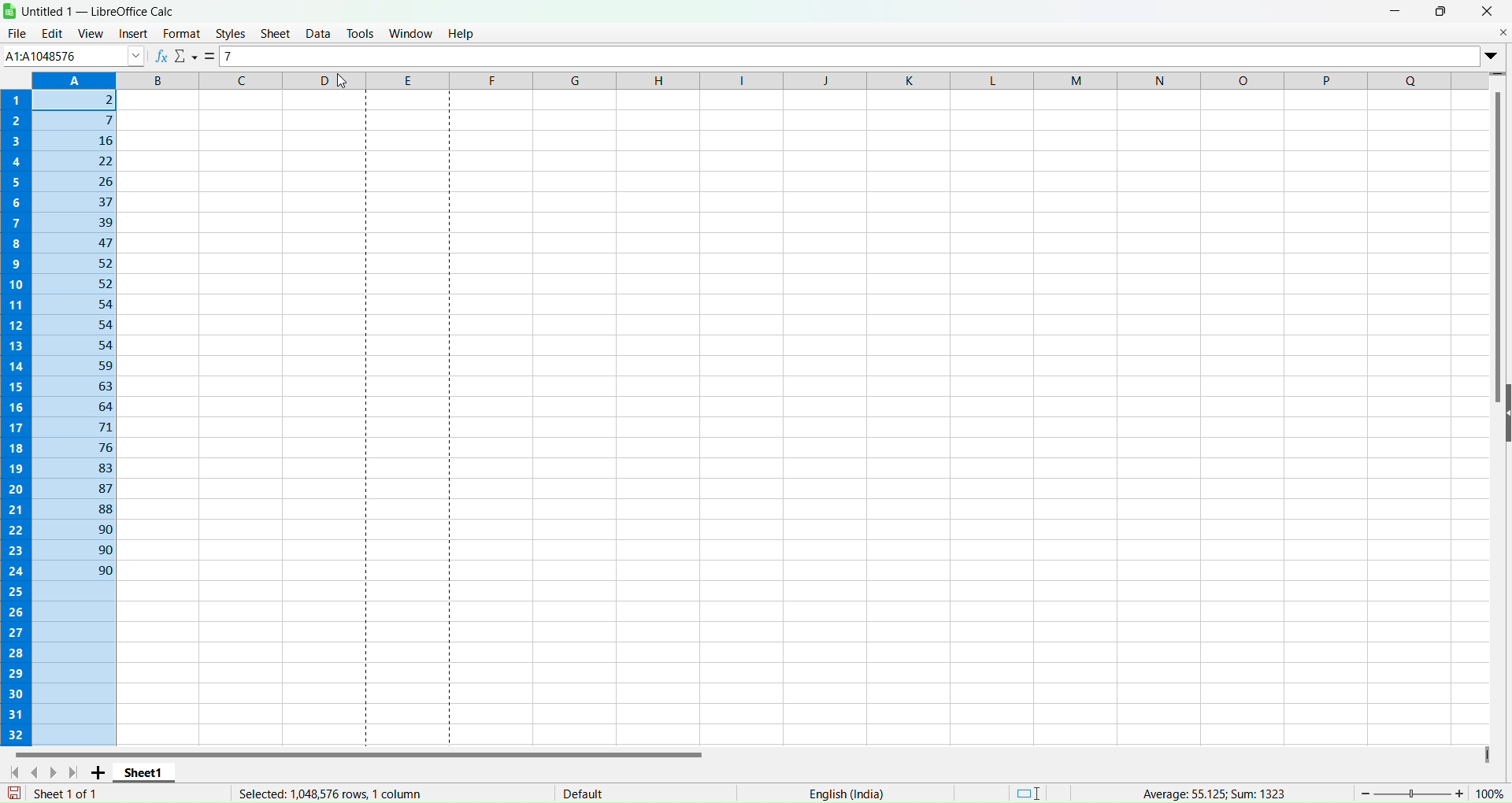 This screenshot has width=1512, height=803. What do you see at coordinates (70, 793) in the screenshot?
I see `total sheets` at bounding box center [70, 793].